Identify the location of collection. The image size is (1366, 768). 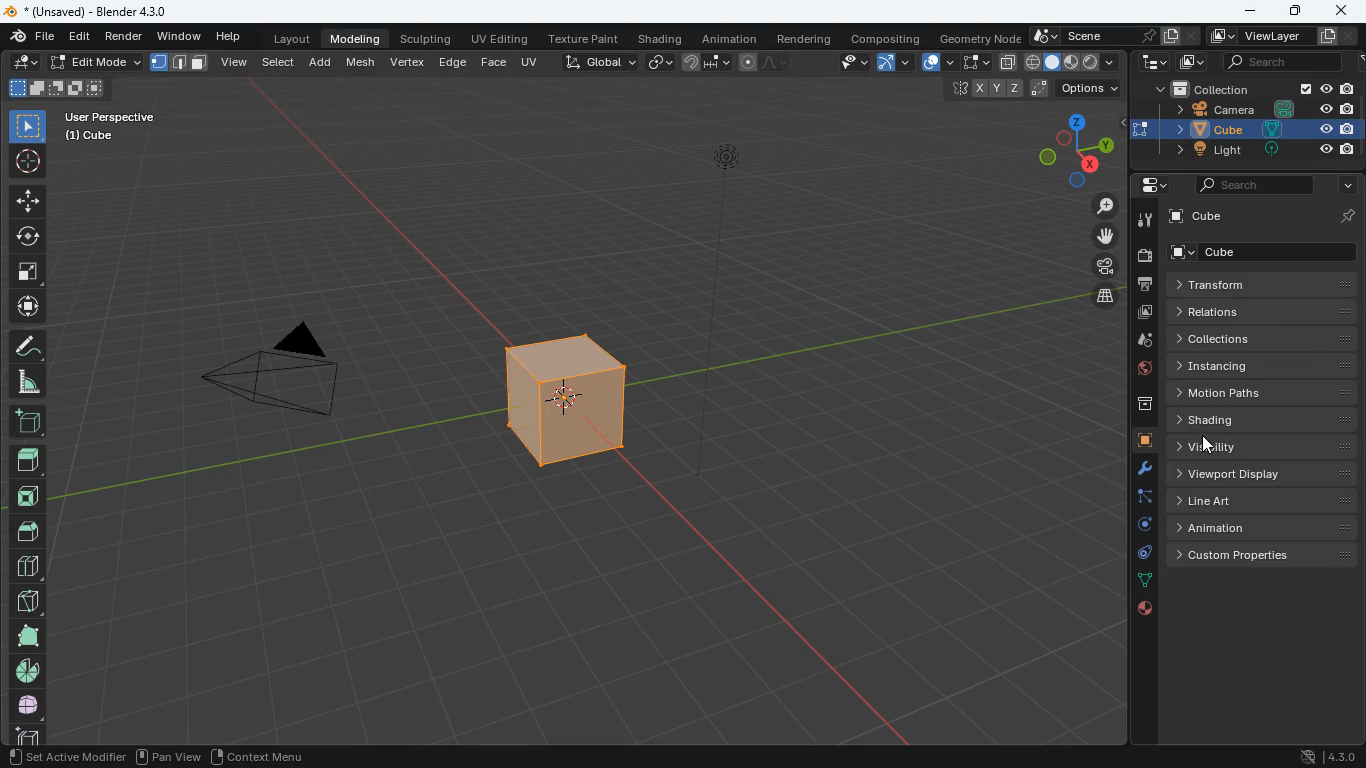
(1256, 88).